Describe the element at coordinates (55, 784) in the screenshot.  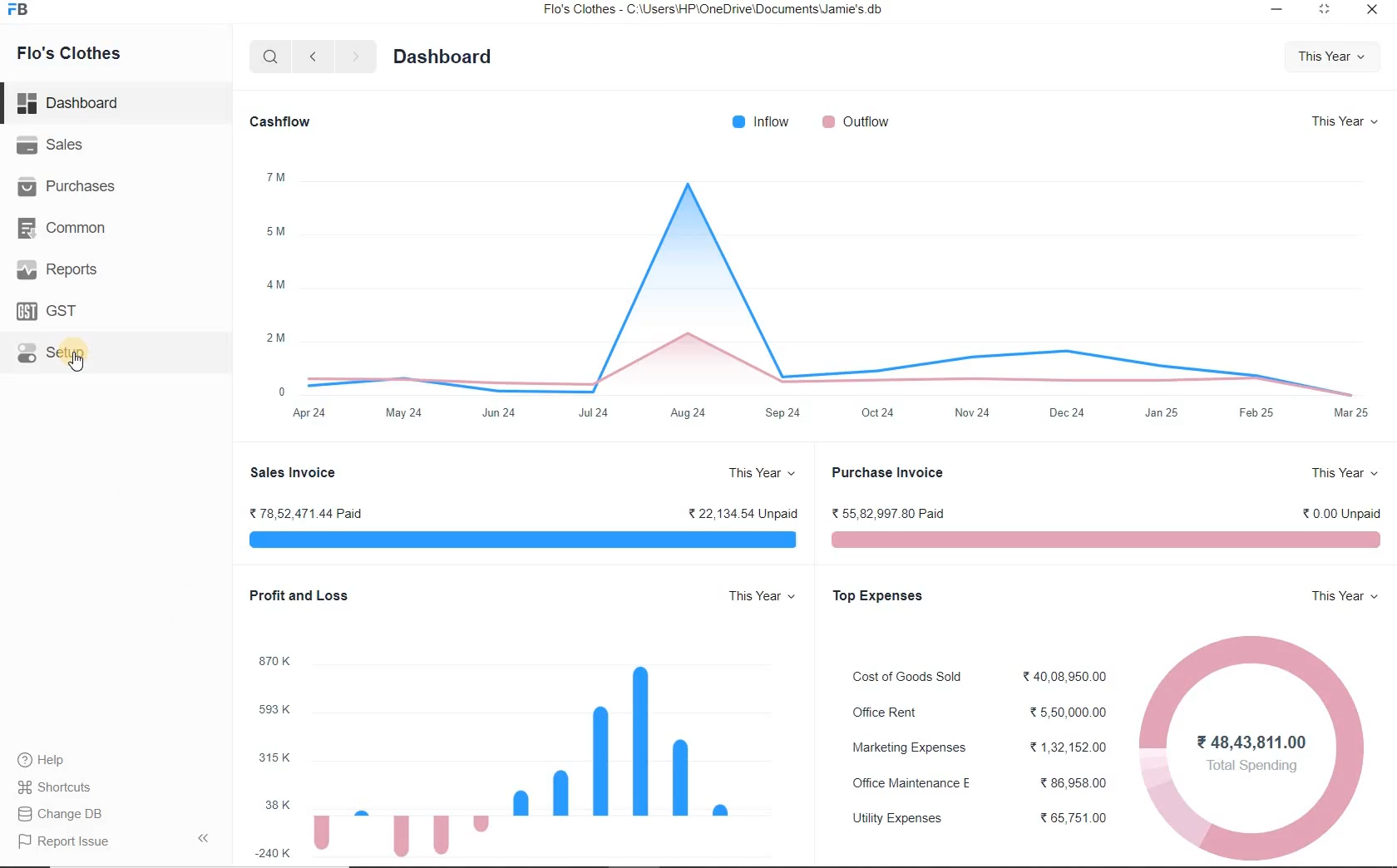
I see `Shortcuts` at that location.